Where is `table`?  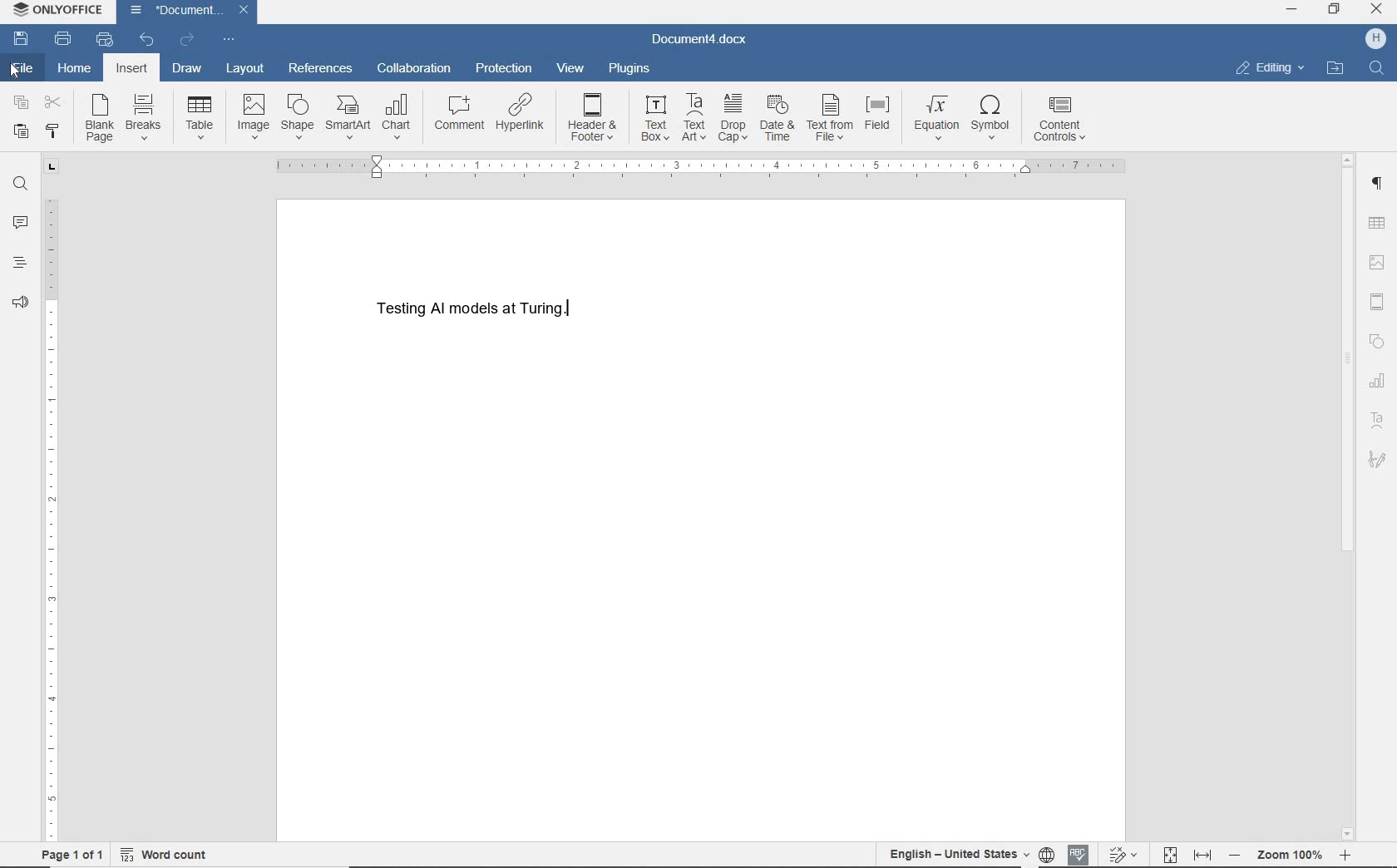 table is located at coordinates (201, 116).